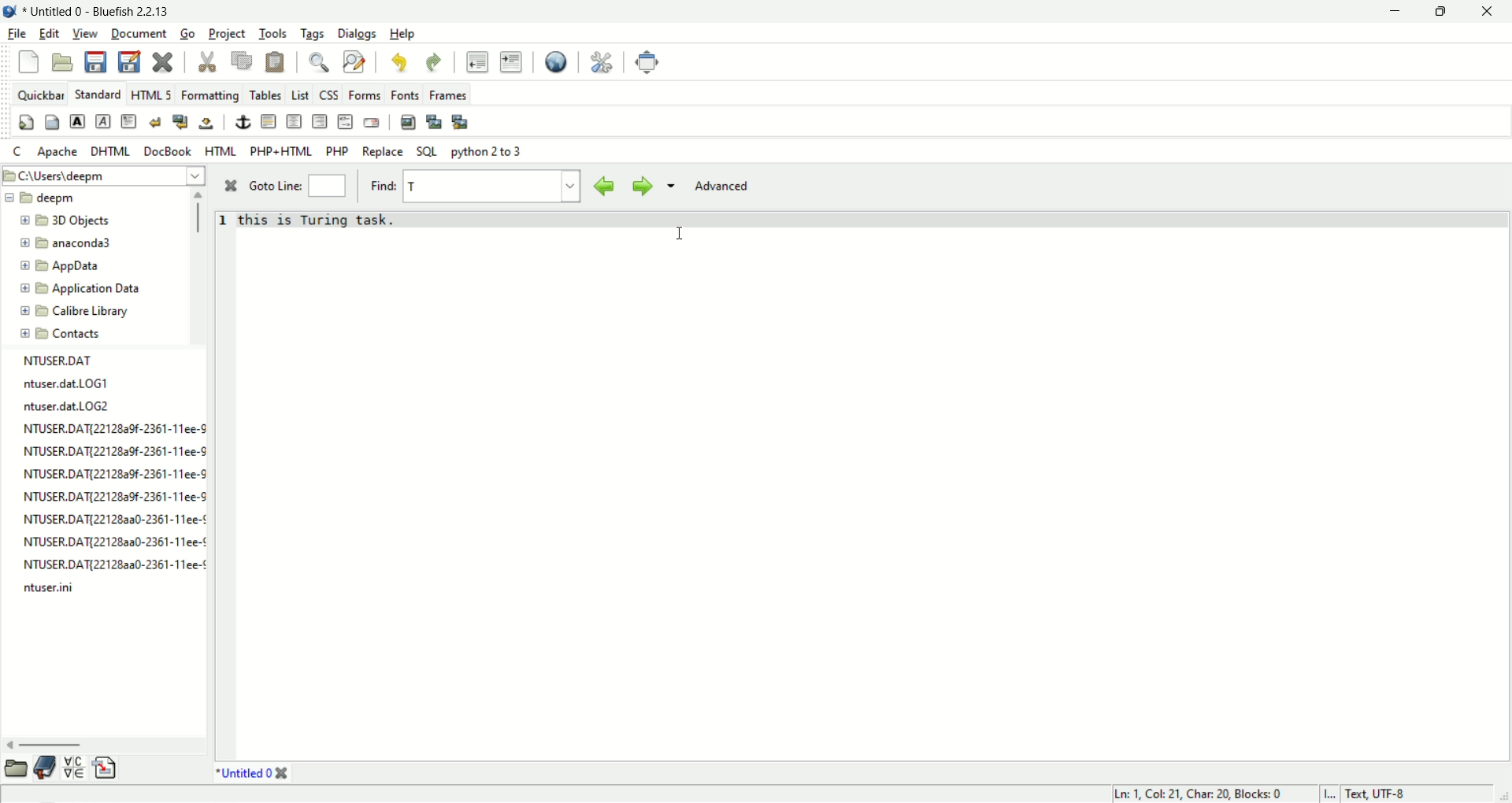  I want to click on redo, so click(431, 61).